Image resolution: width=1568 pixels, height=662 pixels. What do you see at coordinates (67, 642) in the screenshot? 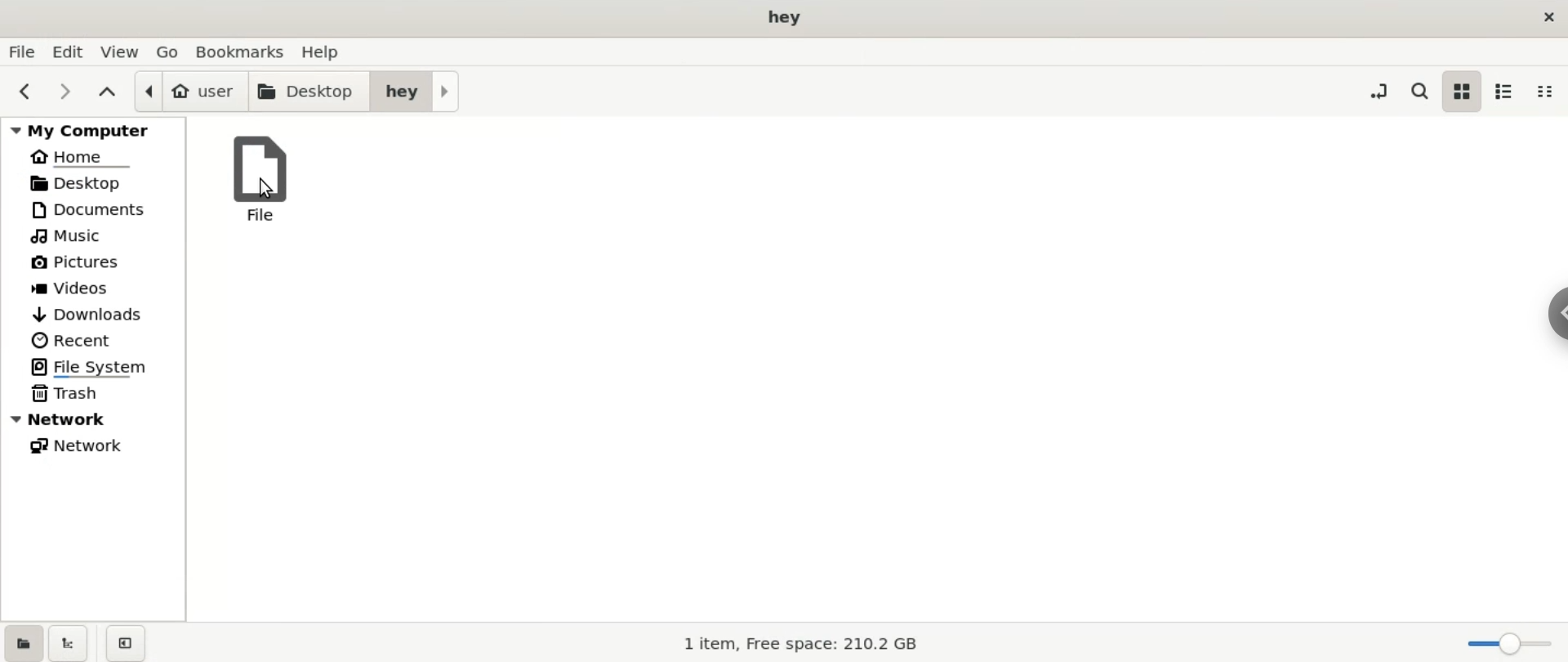
I see `show treeview` at bounding box center [67, 642].